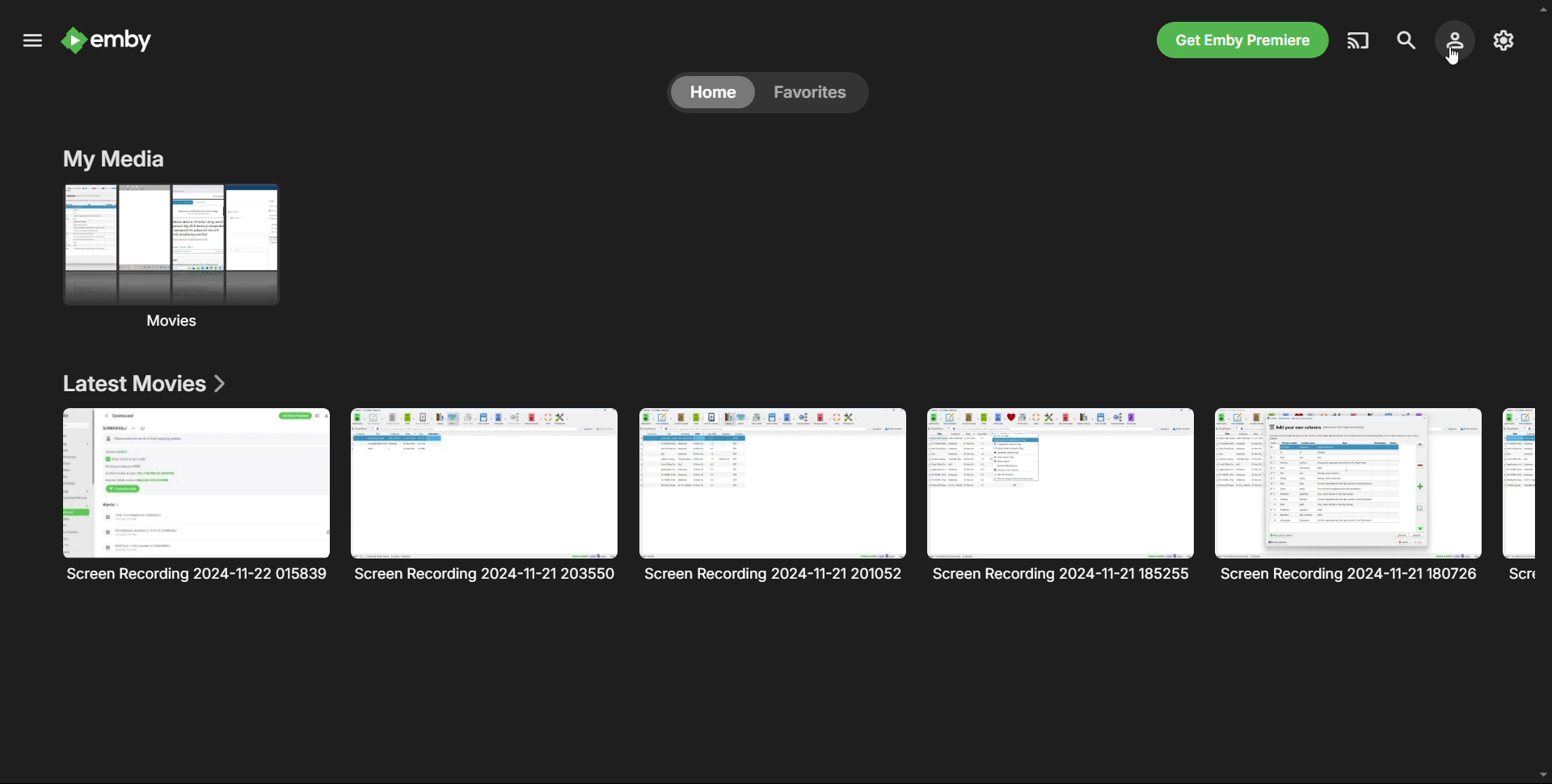 The width and height of the screenshot is (1552, 784). What do you see at coordinates (1503, 40) in the screenshot?
I see `settings` at bounding box center [1503, 40].